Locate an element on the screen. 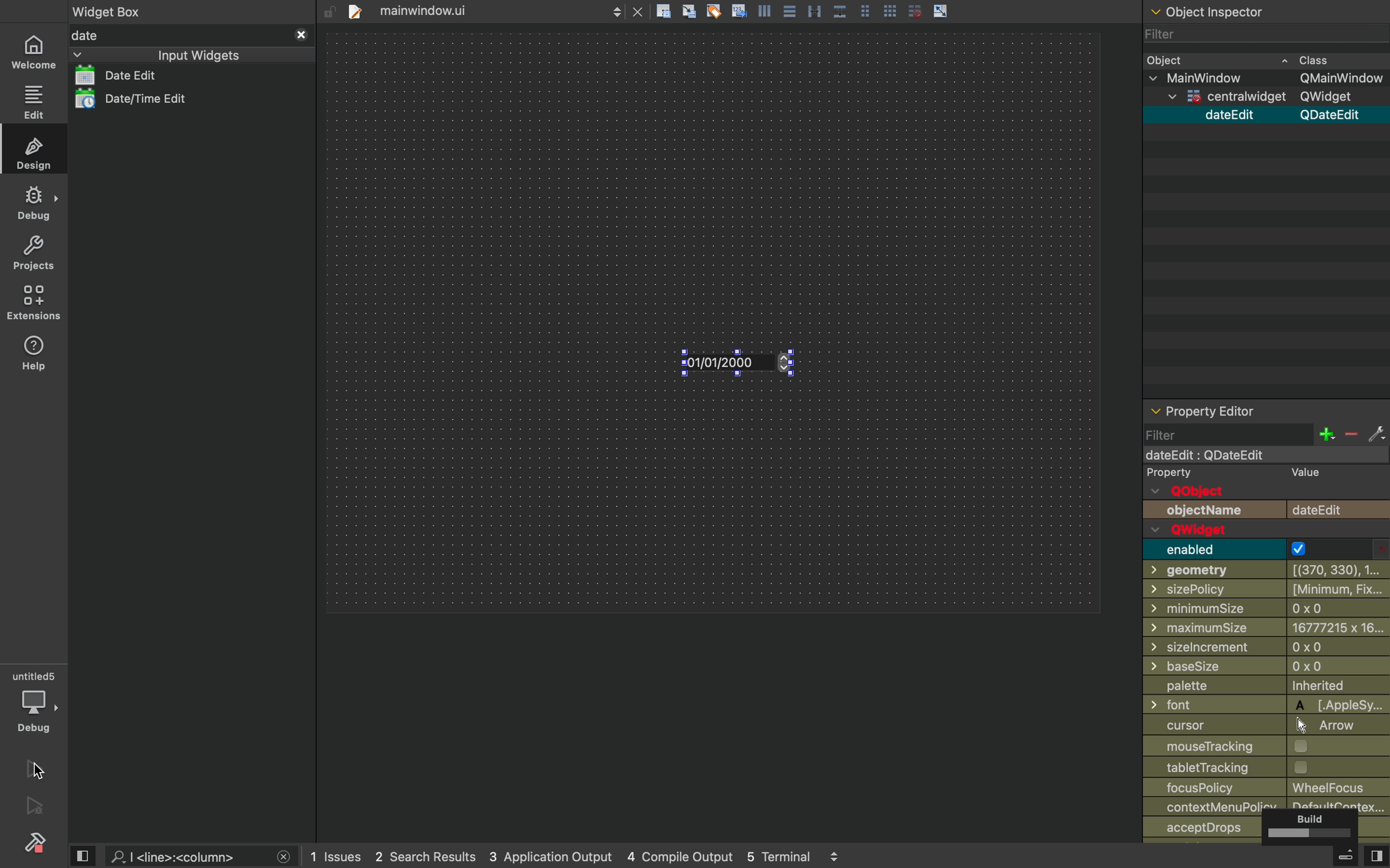 This screenshot has width=1390, height=868. centrawidget is located at coordinates (1269, 98).